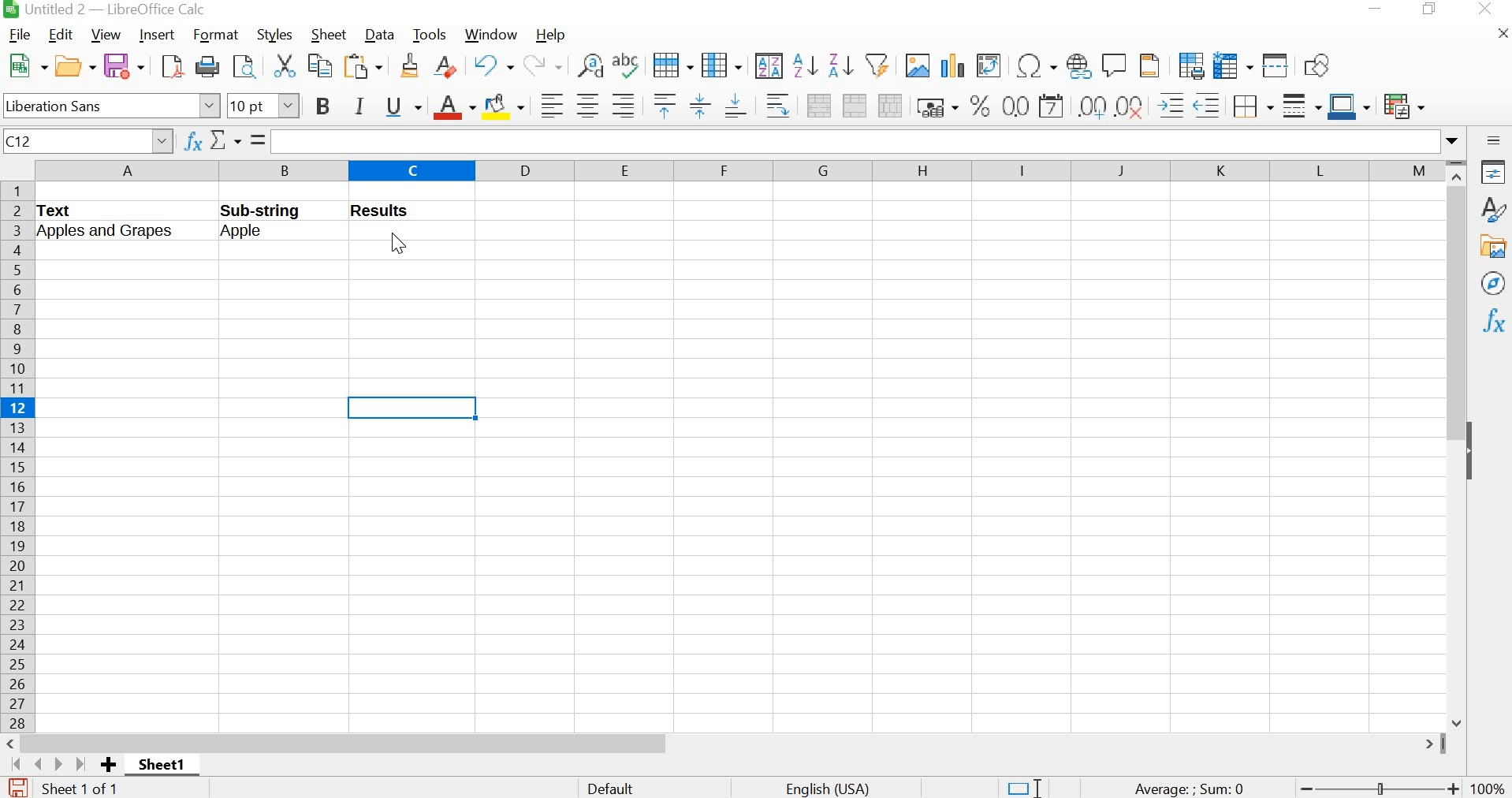  I want to click on clone formatting, so click(409, 67).